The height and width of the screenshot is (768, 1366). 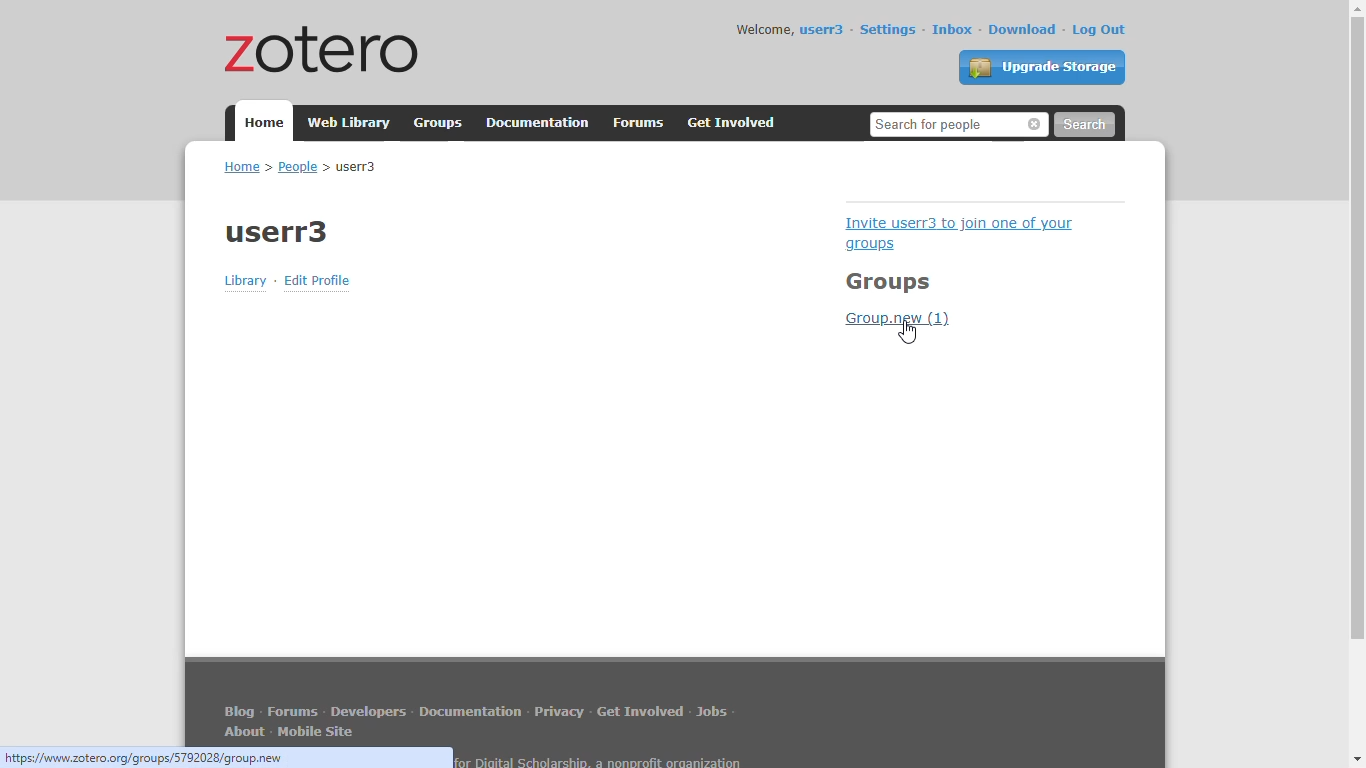 What do you see at coordinates (888, 29) in the screenshot?
I see `settings` at bounding box center [888, 29].